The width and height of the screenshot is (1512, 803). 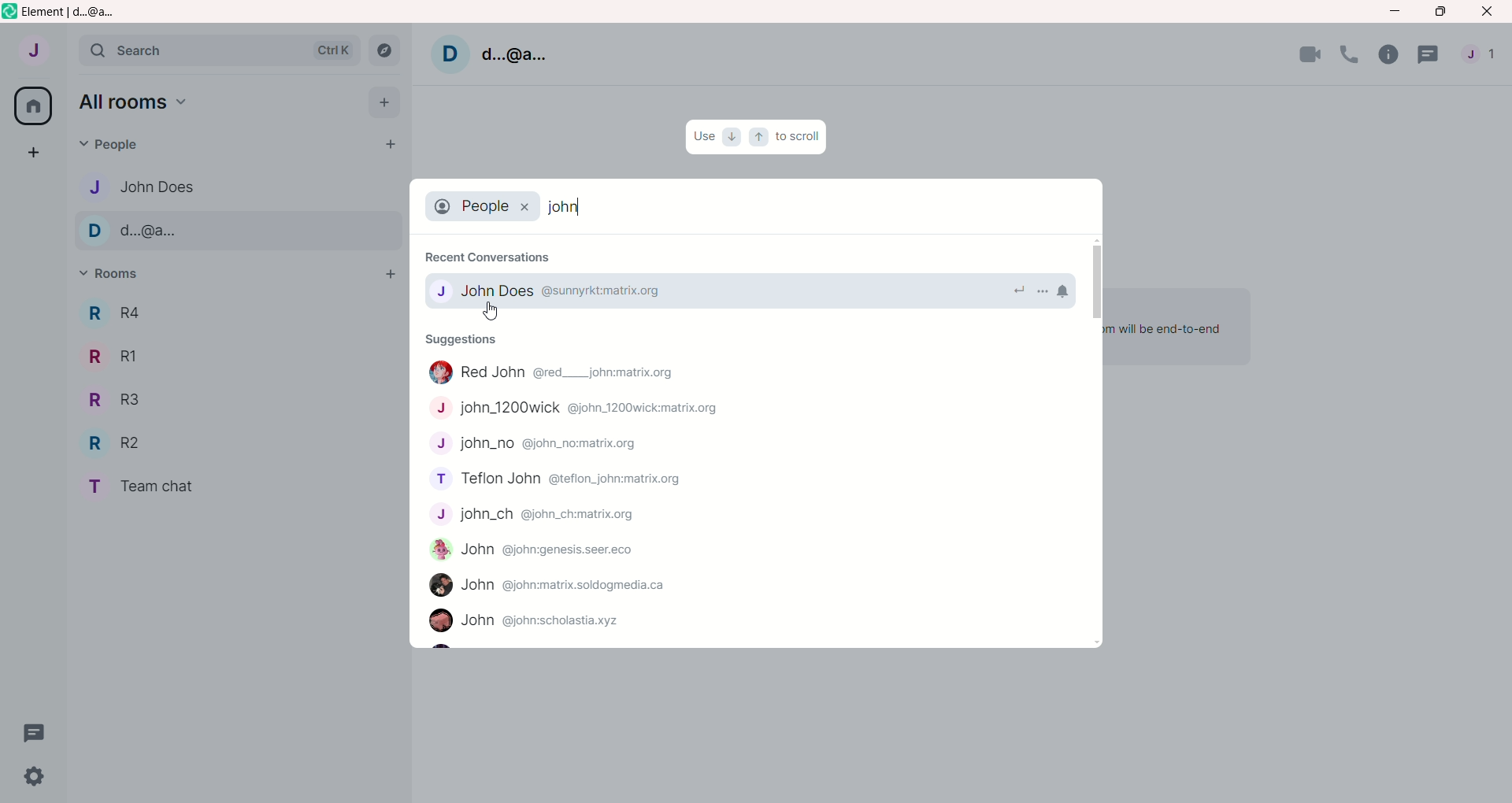 What do you see at coordinates (384, 50) in the screenshot?
I see `explore rooms` at bounding box center [384, 50].